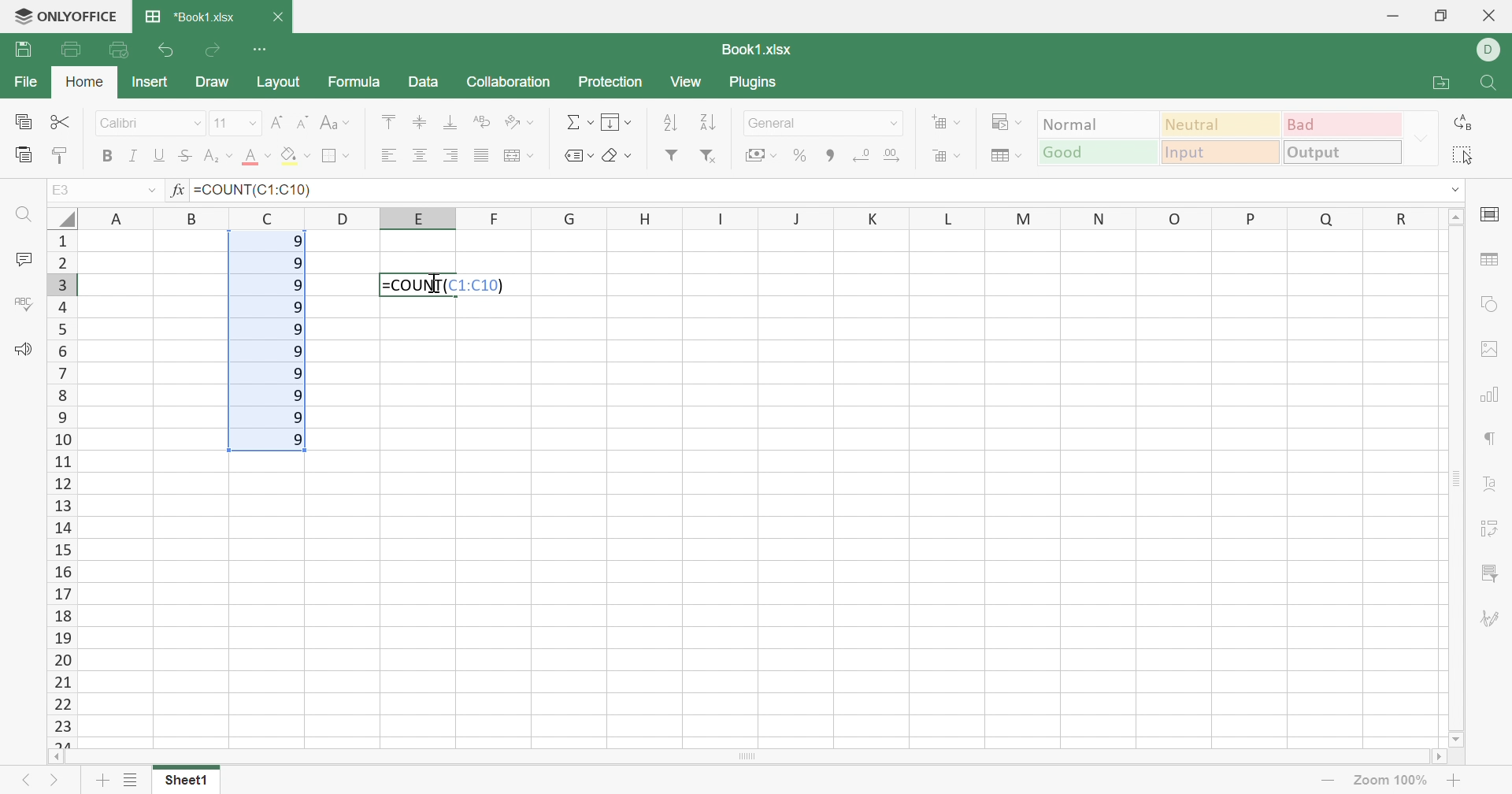 This screenshot has width=1512, height=794. I want to click on Justified, so click(481, 154).